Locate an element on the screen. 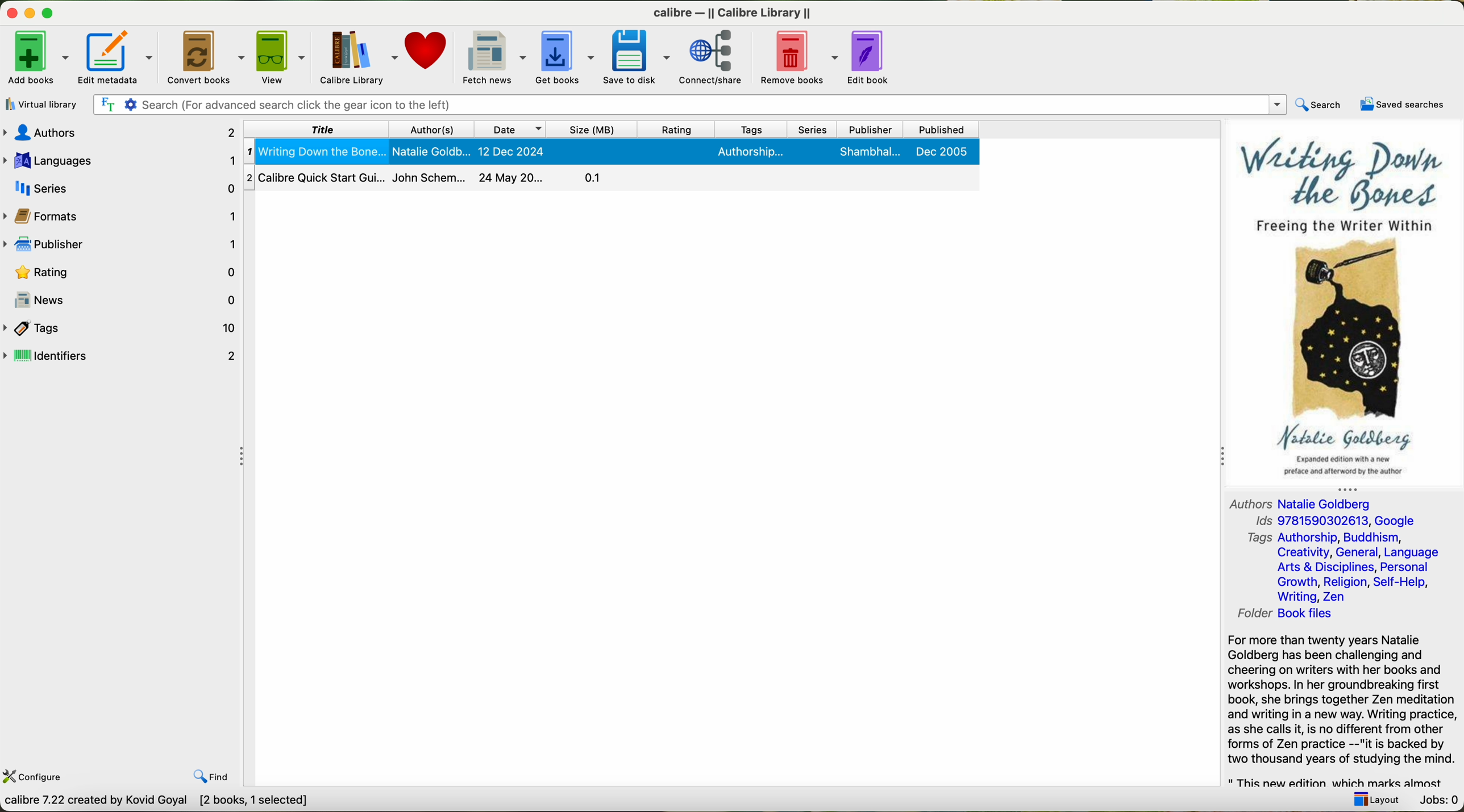 The image size is (1464, 812). fetch news is located at coordinates (494, 56).